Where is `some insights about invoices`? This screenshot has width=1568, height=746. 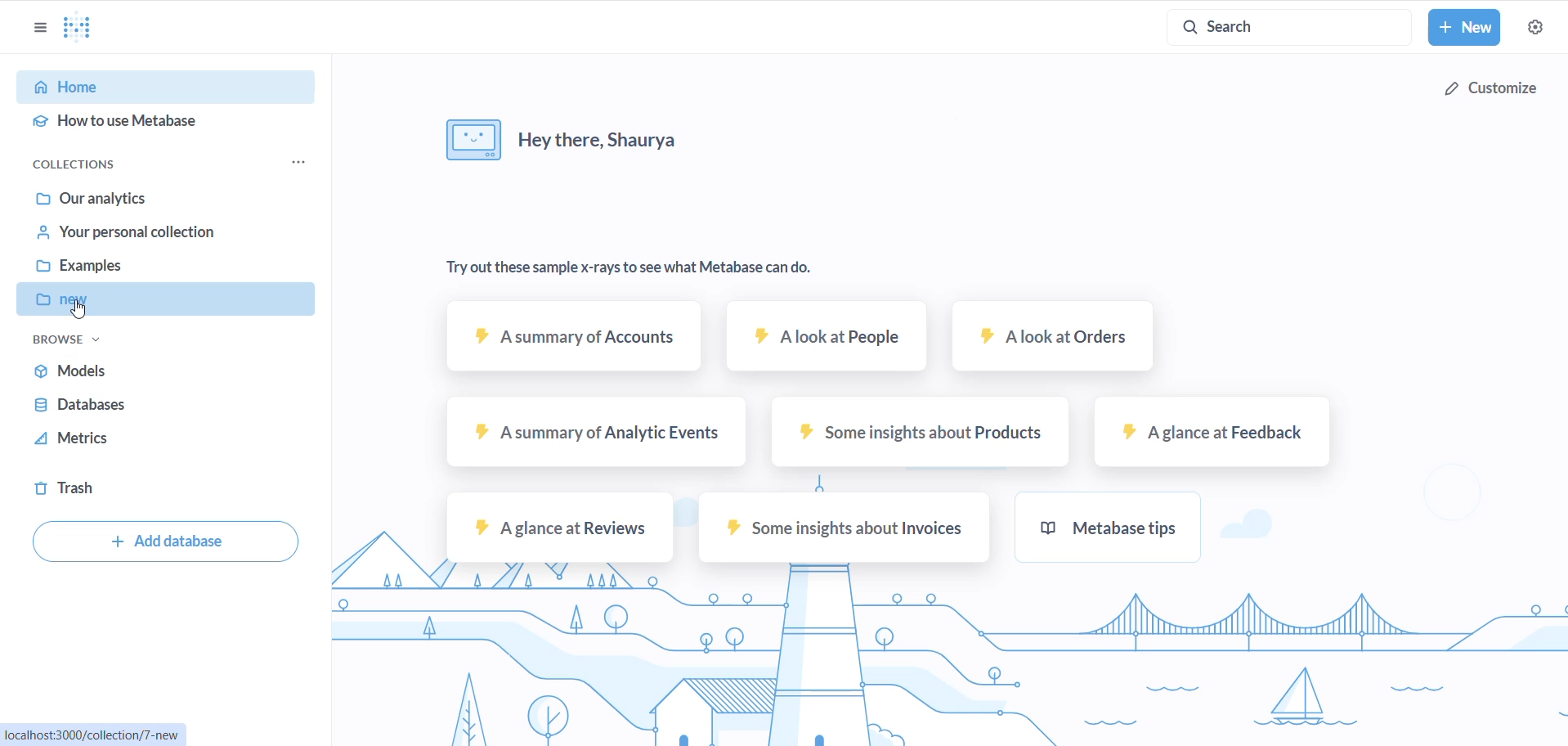
some insights about invoices is located at coordinates (842, 532).